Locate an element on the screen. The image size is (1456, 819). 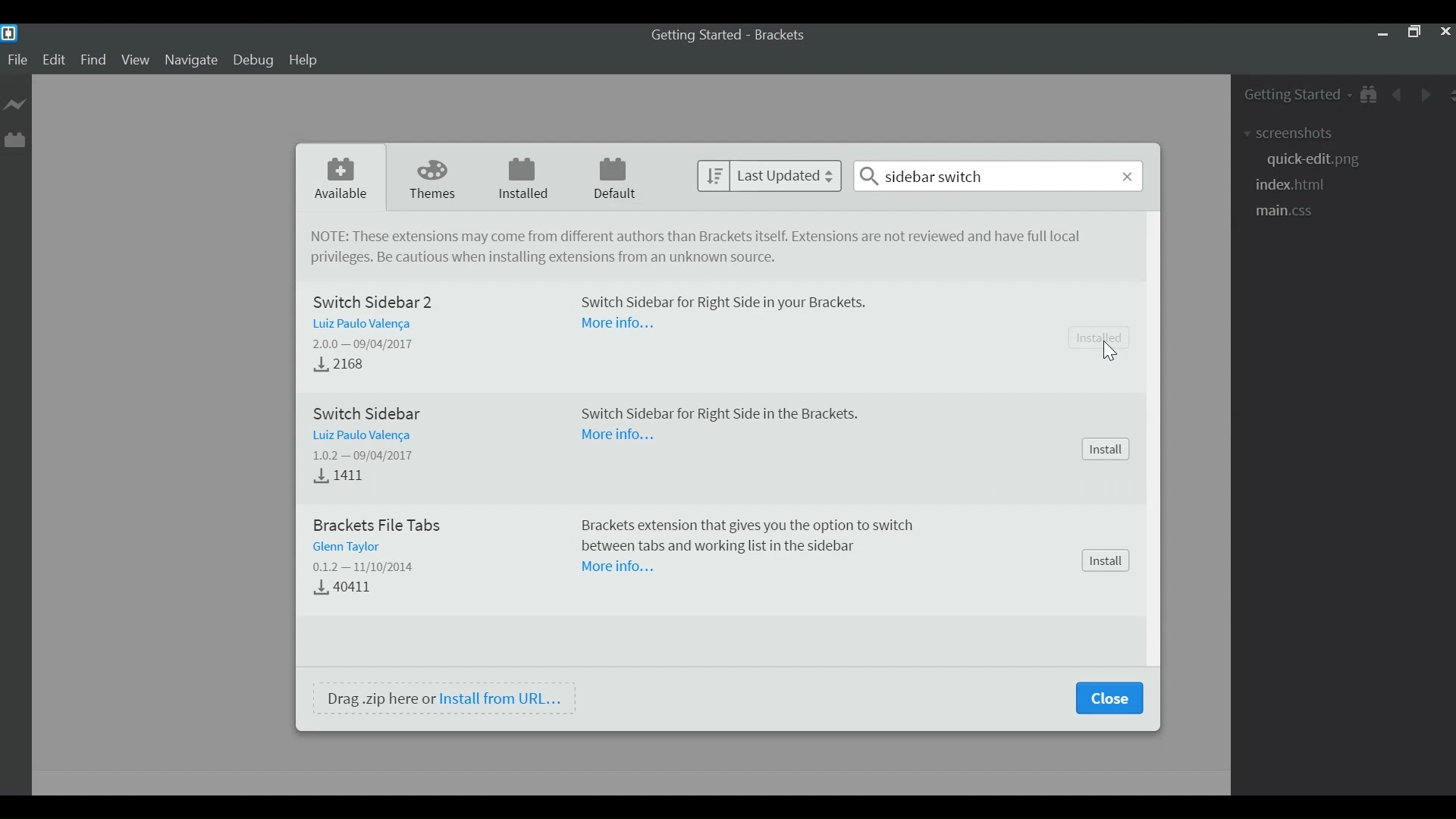
NOTE: These extensions may come from different authors tan Brackets itself. Extensions are not reviewed and have full local privileges is located at coordinates (683, 237).